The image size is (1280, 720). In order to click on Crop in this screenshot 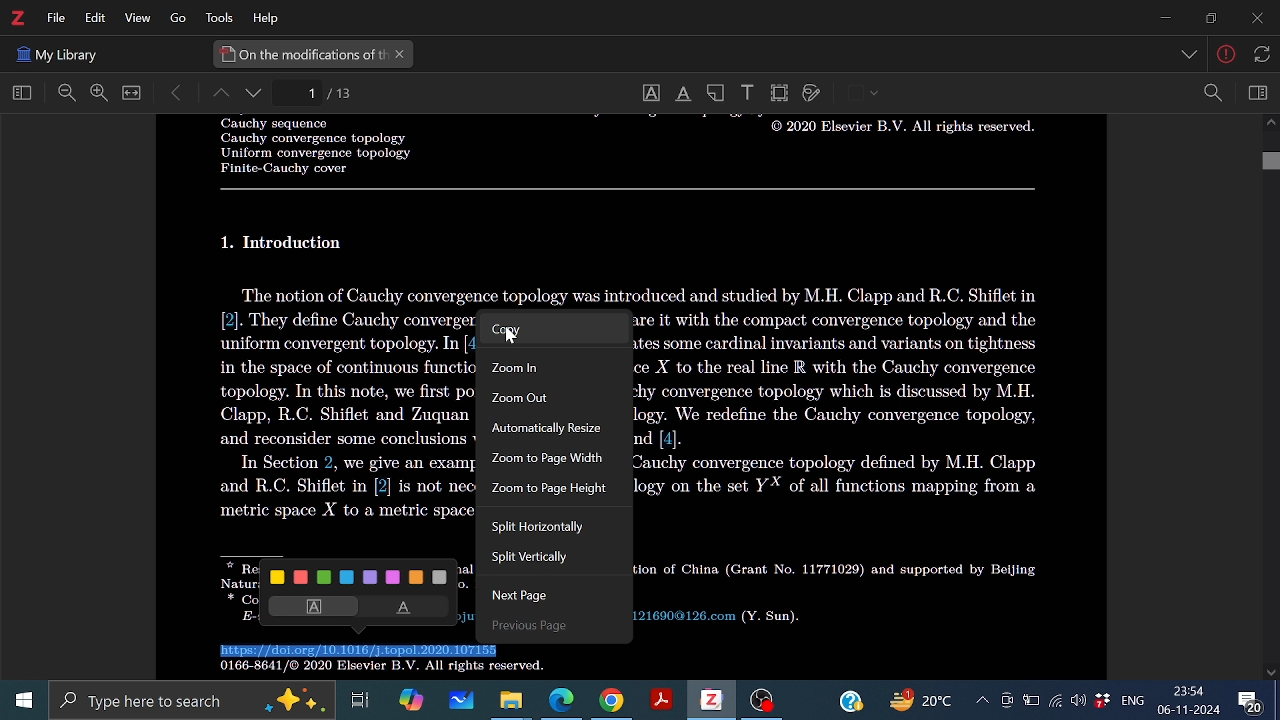, I will do `click(780, 93)`.